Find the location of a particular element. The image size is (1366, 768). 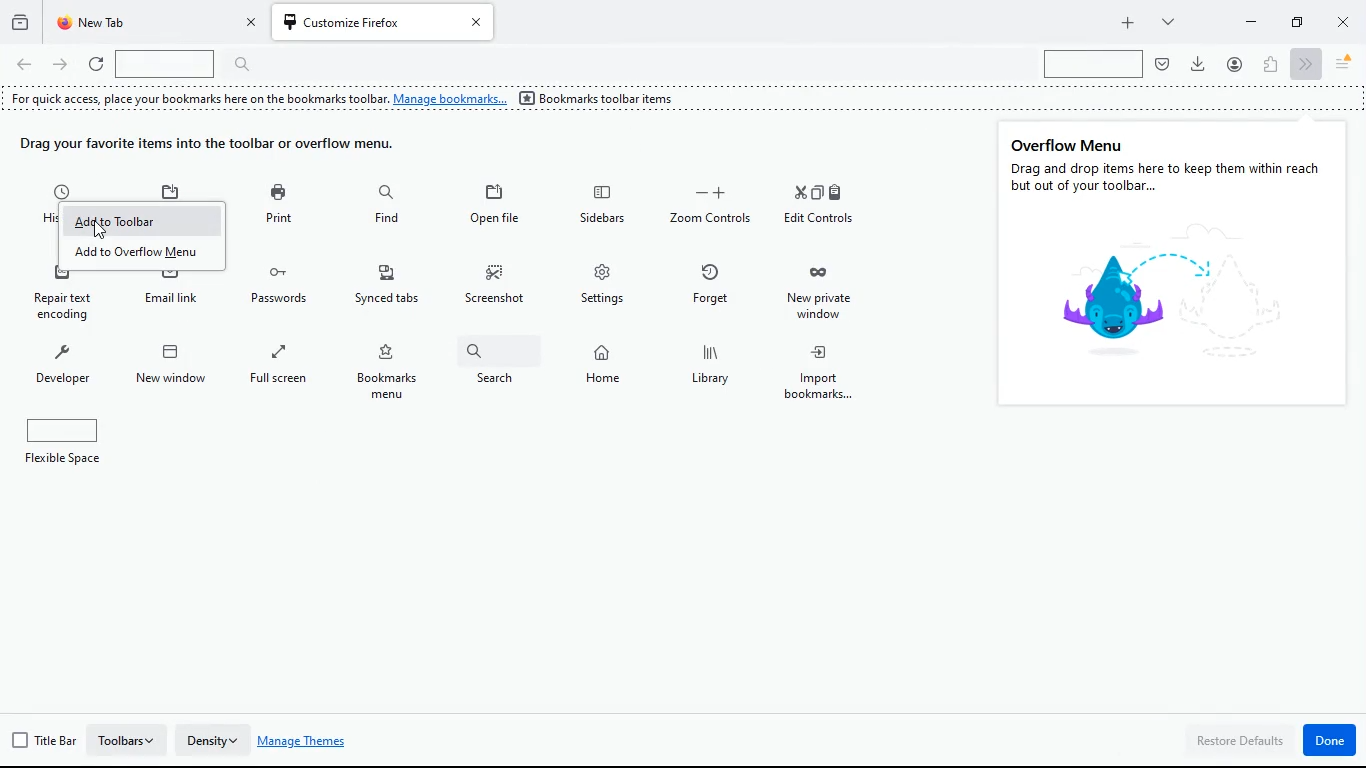

flexible space is located at coordinates (73, 443).